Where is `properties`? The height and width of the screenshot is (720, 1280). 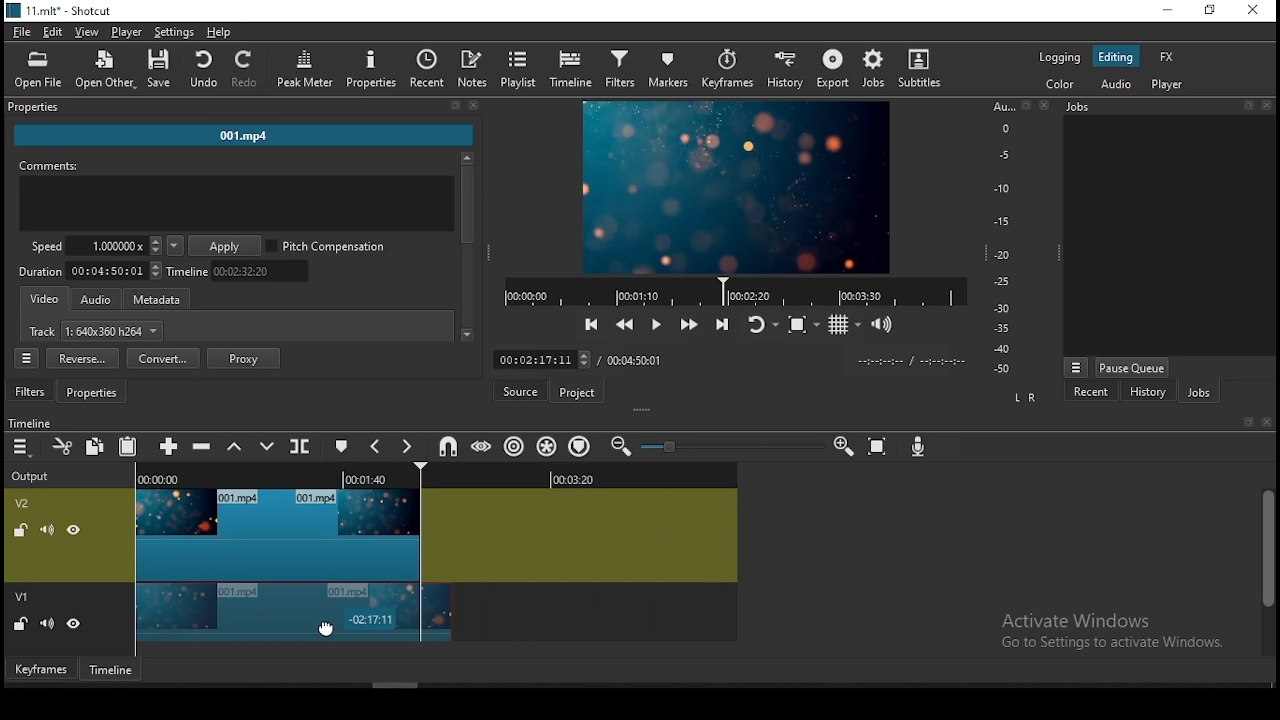 properties is located at coordinates (95, 393).